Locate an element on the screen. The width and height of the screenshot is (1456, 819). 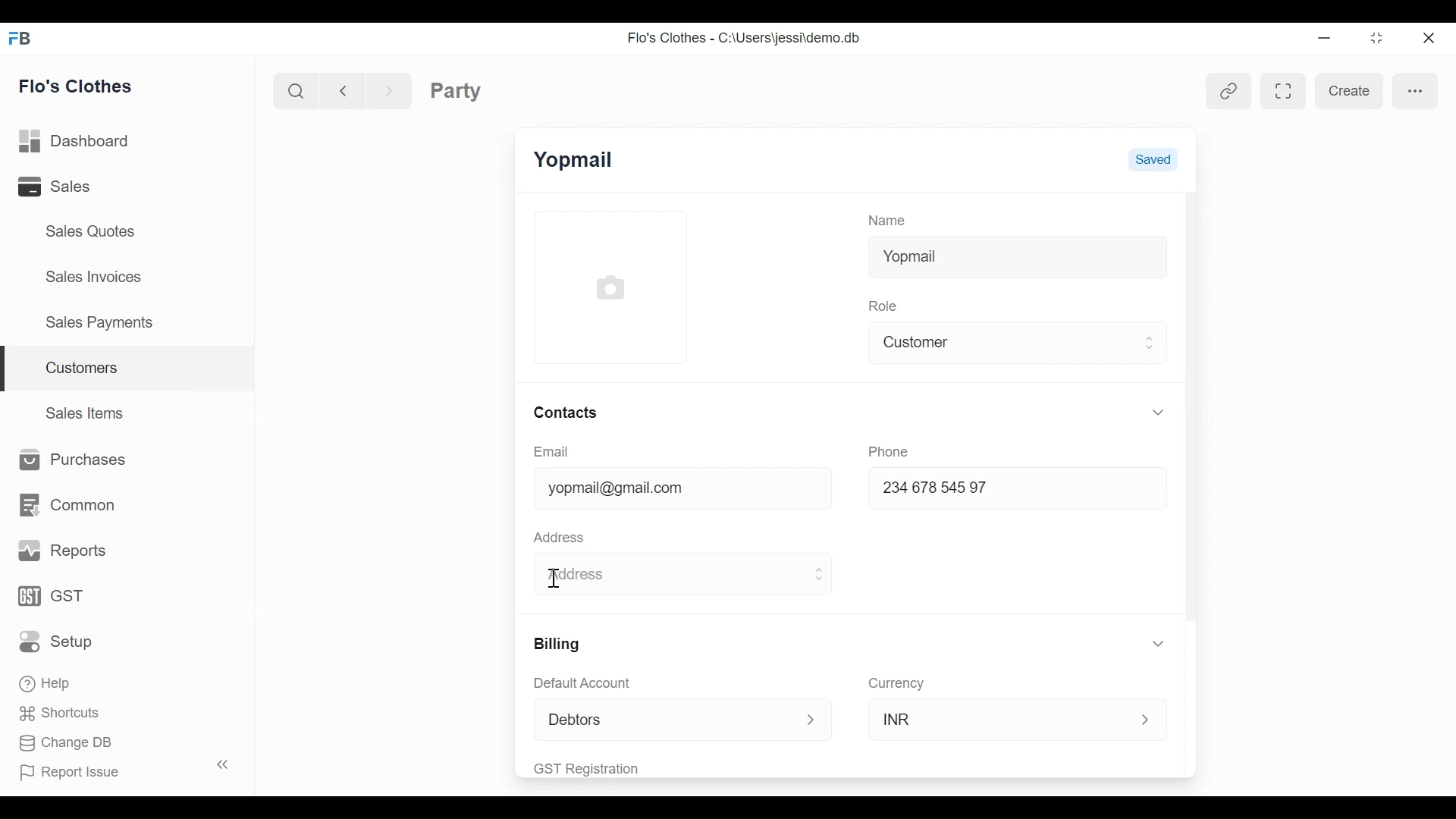
Toggle between form and full width view is located at coordinates (1282, 90).